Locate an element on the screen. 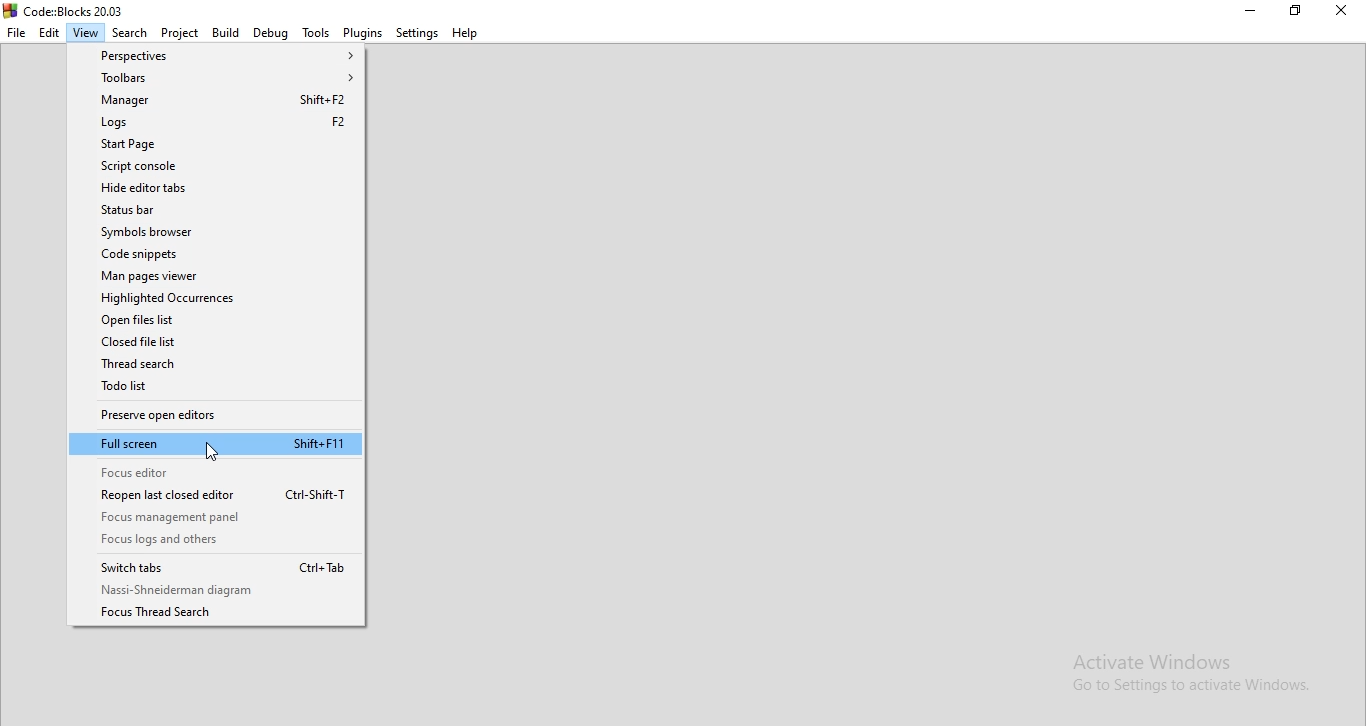 This screenshot has width=1366, height=726. Toolbars is located at coordinates (212, 76).